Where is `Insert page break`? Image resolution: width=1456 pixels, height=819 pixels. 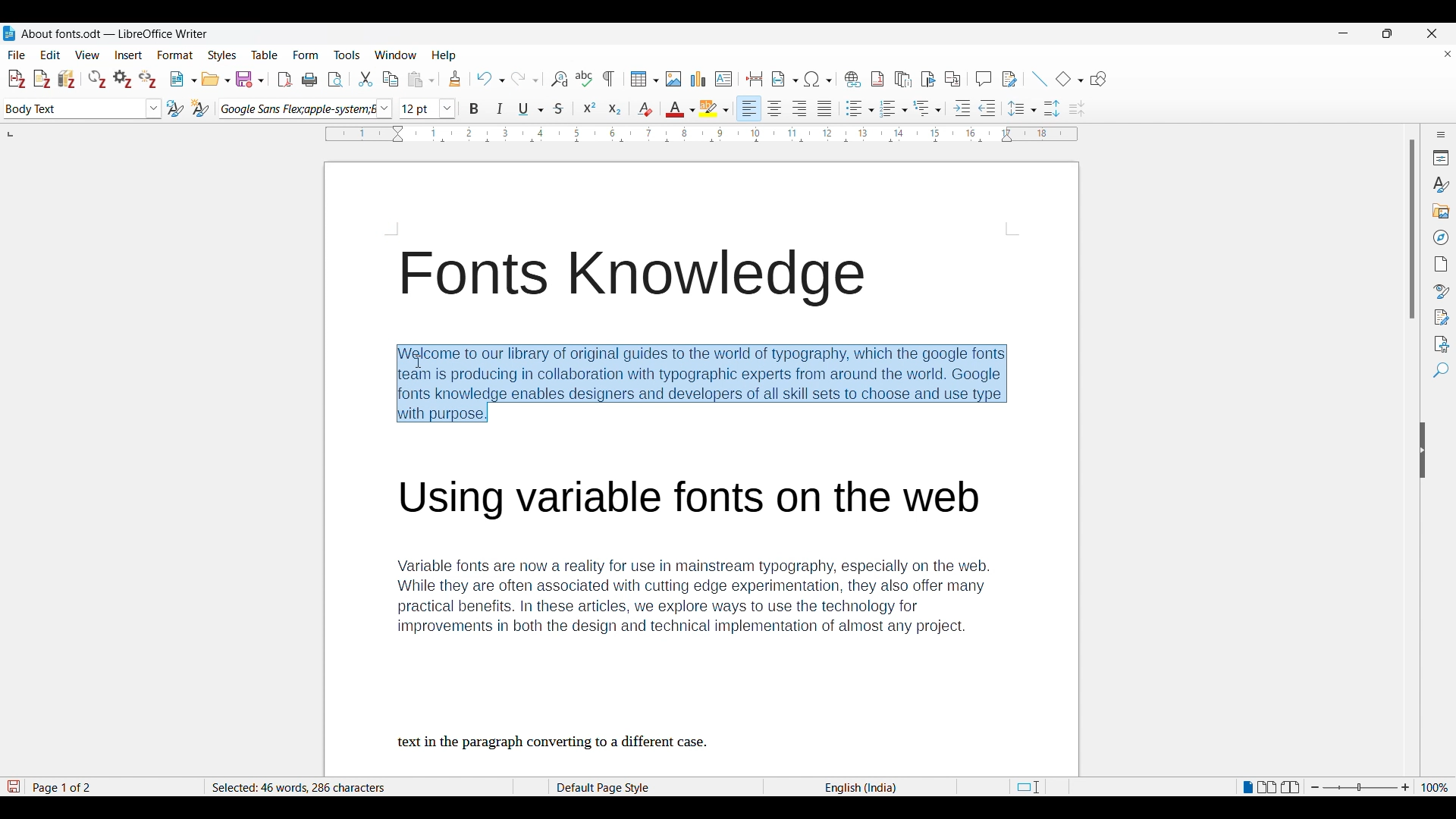
Insert page break is located at coordinates (754, 79).